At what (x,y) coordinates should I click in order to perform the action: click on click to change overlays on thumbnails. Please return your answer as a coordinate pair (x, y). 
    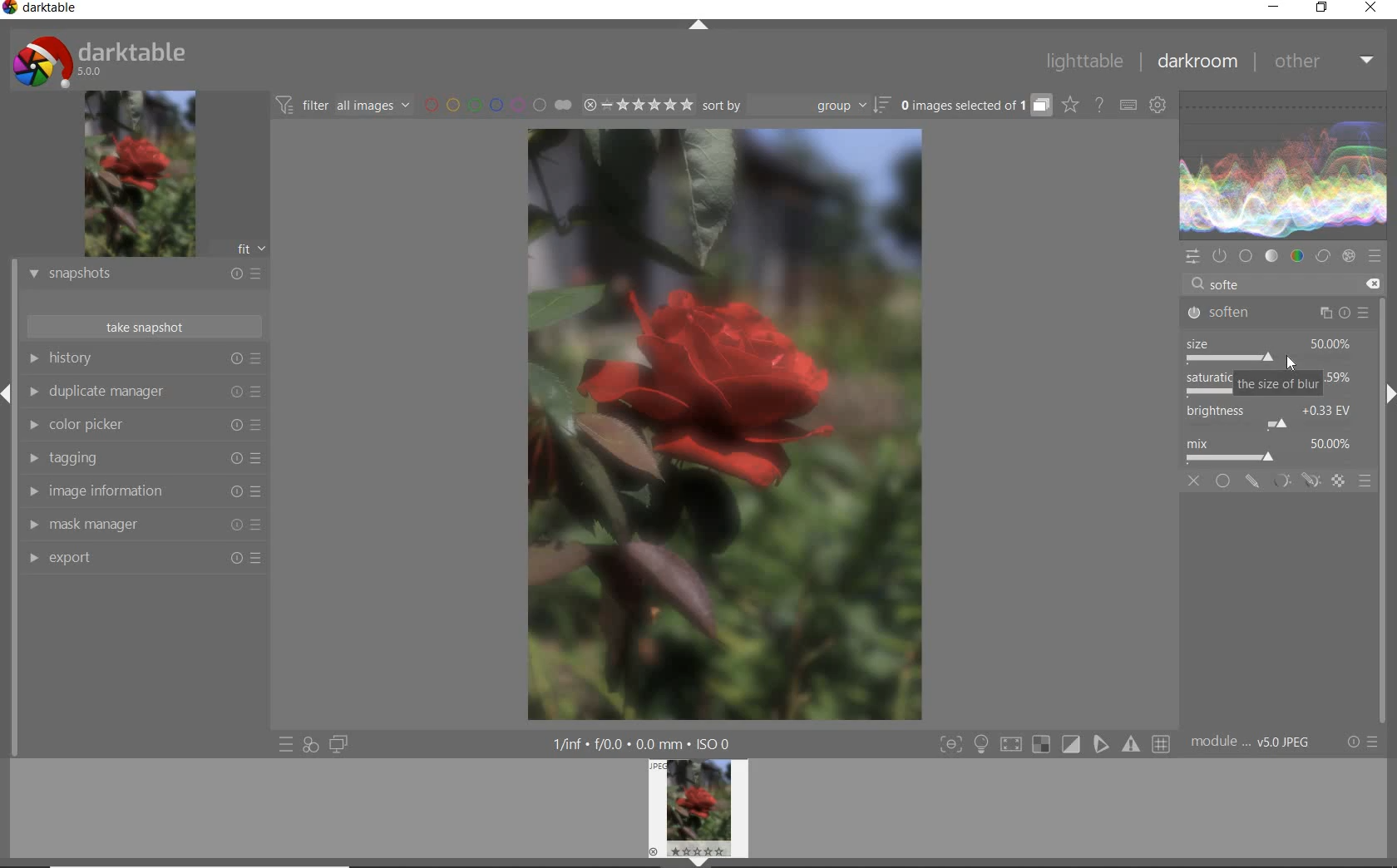
    Looking at the image, I should click on (1068, 104).